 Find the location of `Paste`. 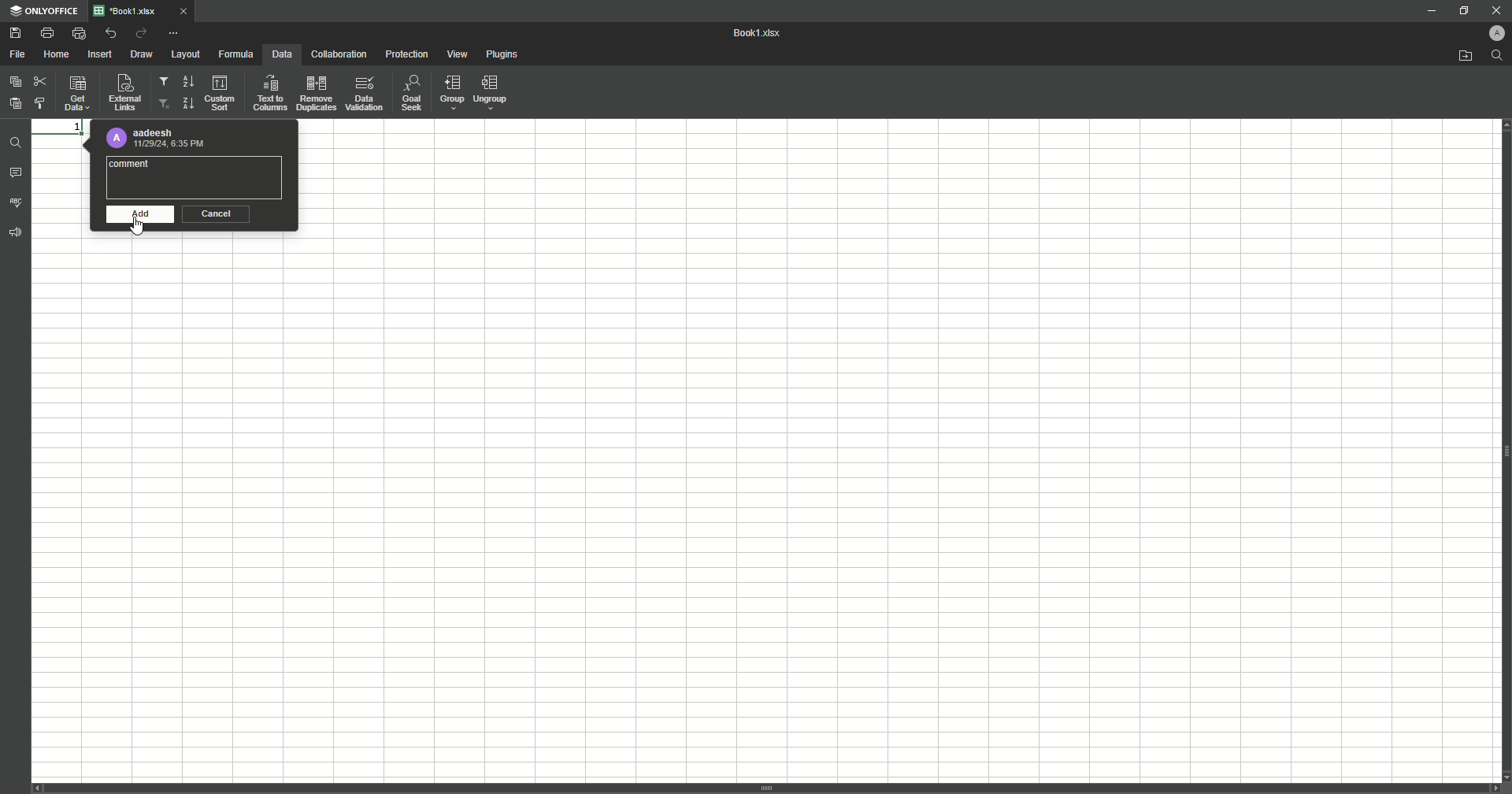

Paste is located at coordinates (16, 81).